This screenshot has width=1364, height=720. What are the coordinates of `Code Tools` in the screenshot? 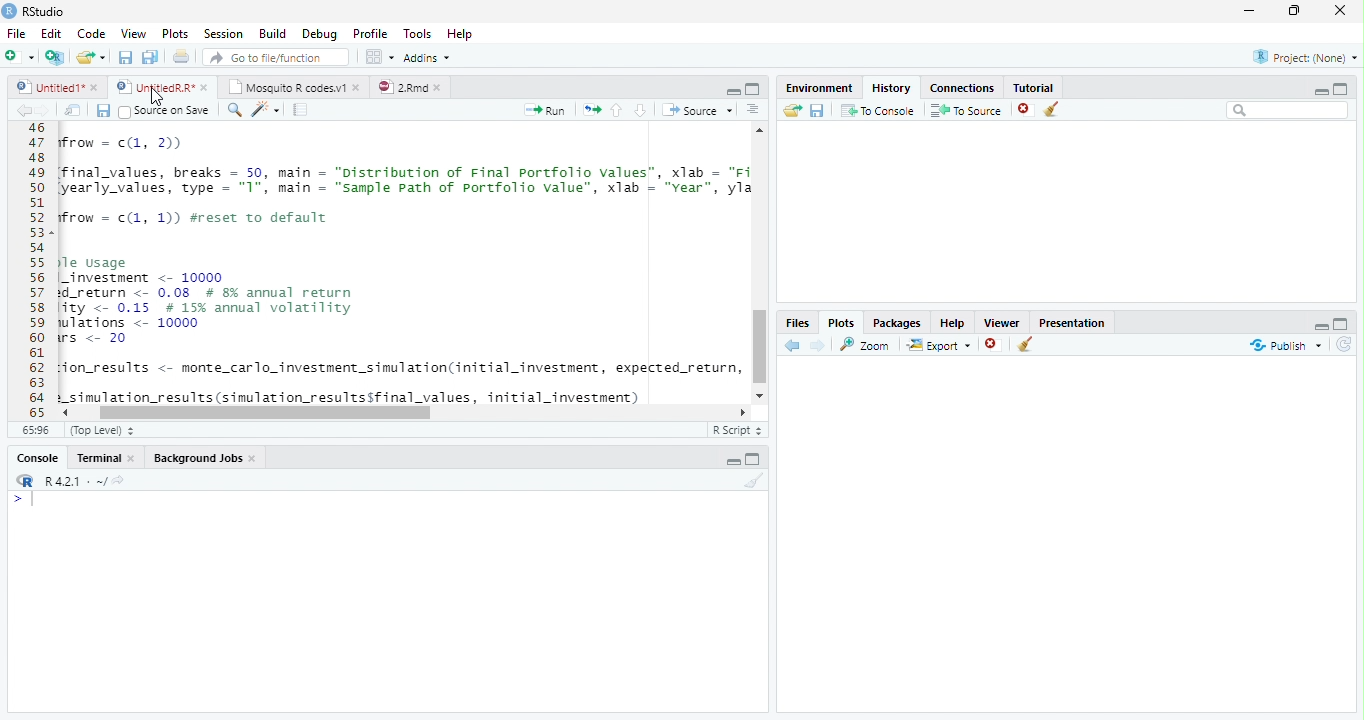 It's located at (266, 110).